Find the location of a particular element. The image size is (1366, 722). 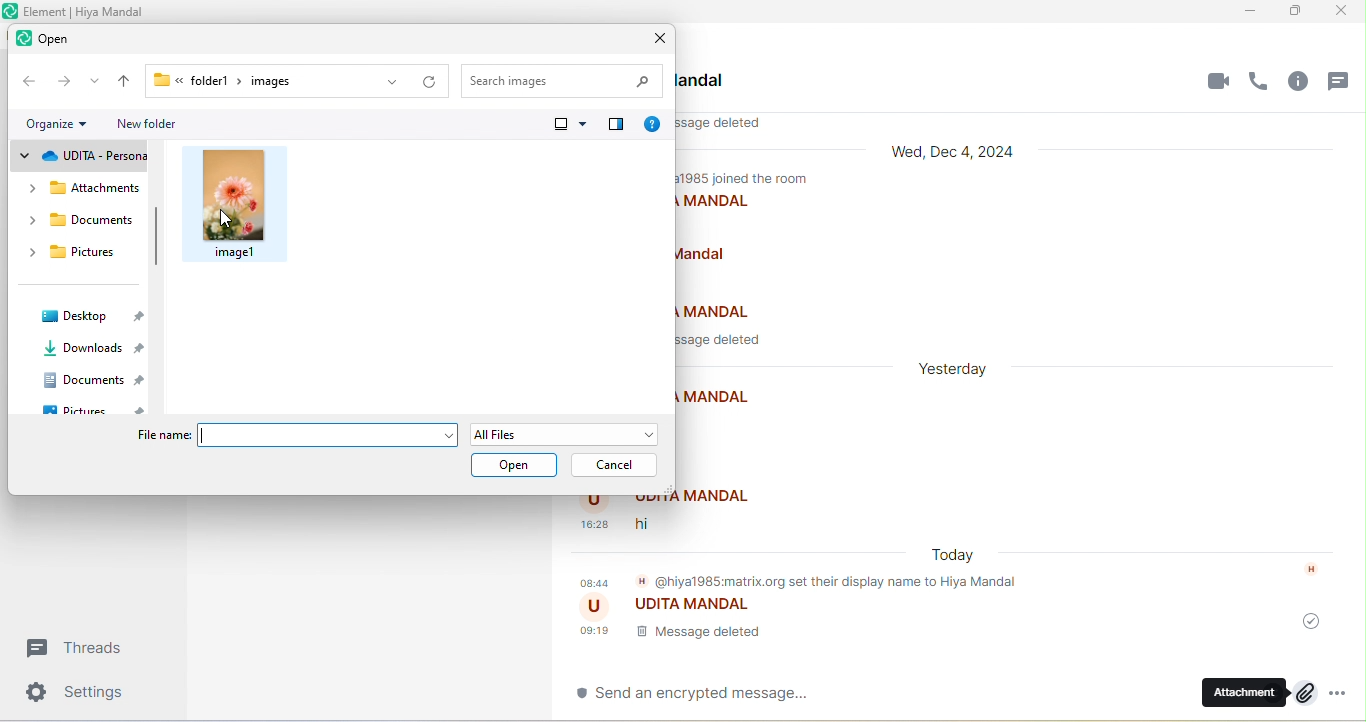

downloads is located at coordinates (92, 351).